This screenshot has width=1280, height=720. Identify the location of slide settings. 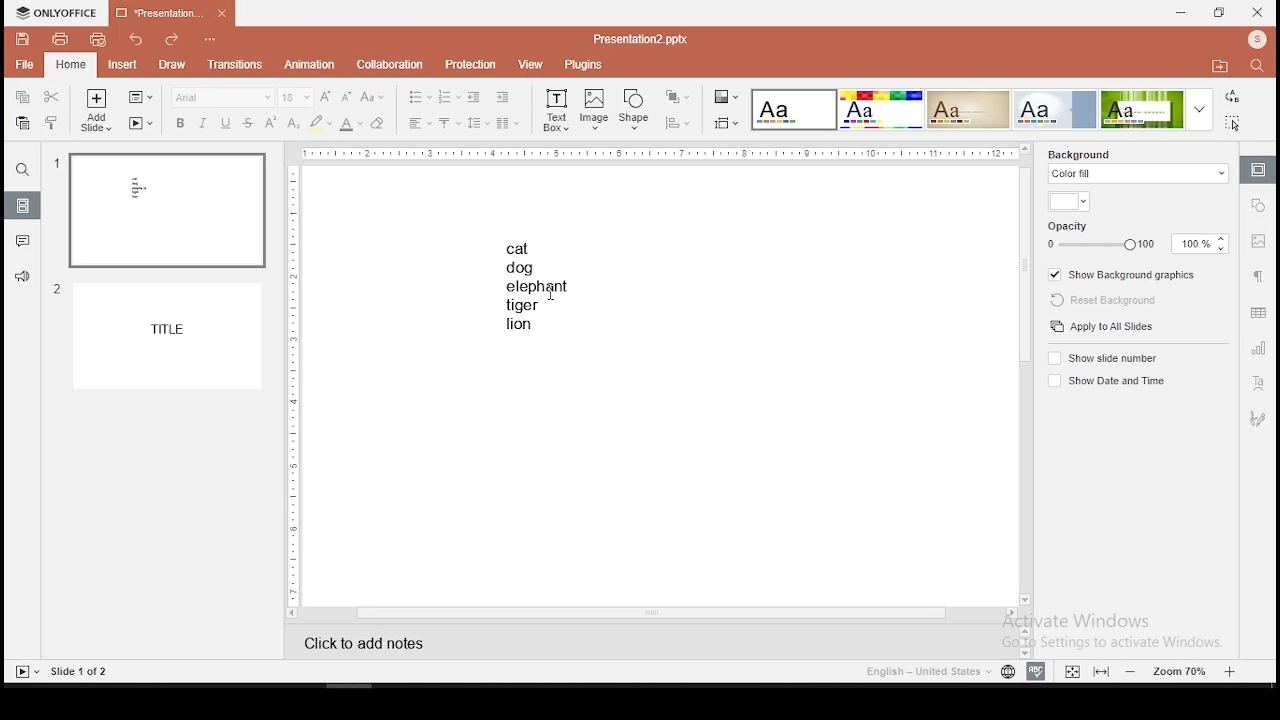
(1257, 170).